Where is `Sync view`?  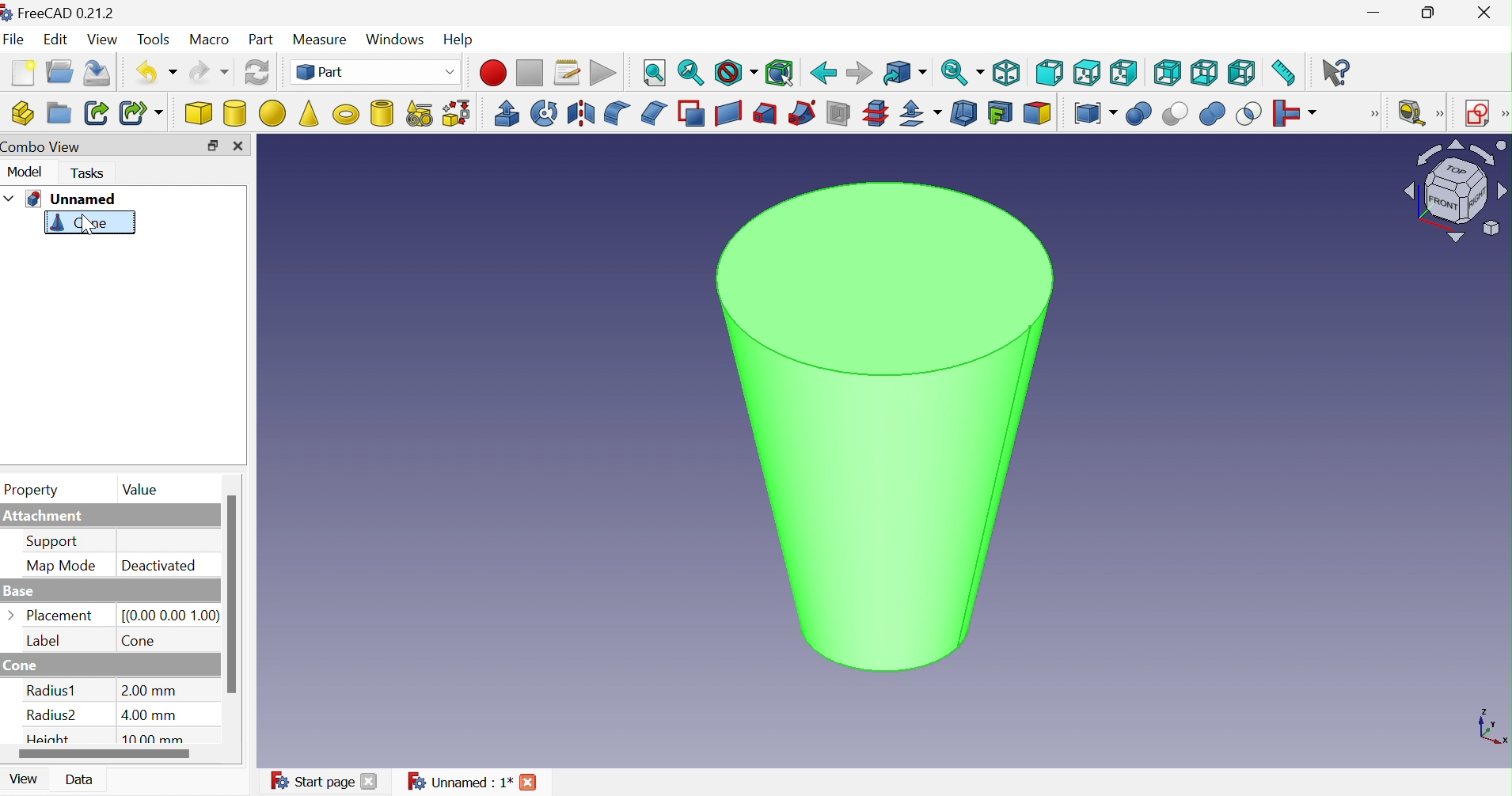 Sync view is located at coordinates (962, 72).